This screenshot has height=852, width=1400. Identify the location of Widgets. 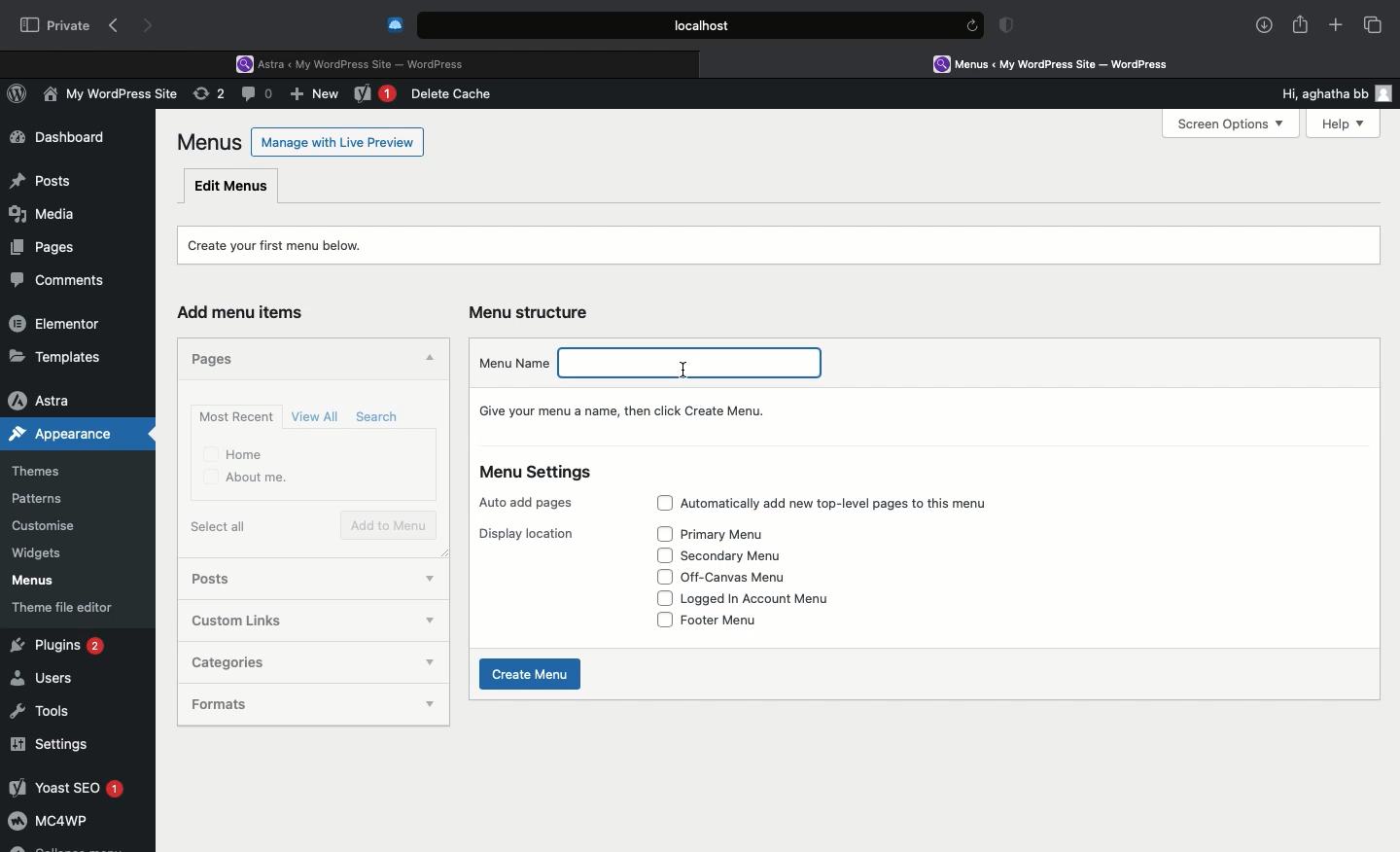
(39, 553).